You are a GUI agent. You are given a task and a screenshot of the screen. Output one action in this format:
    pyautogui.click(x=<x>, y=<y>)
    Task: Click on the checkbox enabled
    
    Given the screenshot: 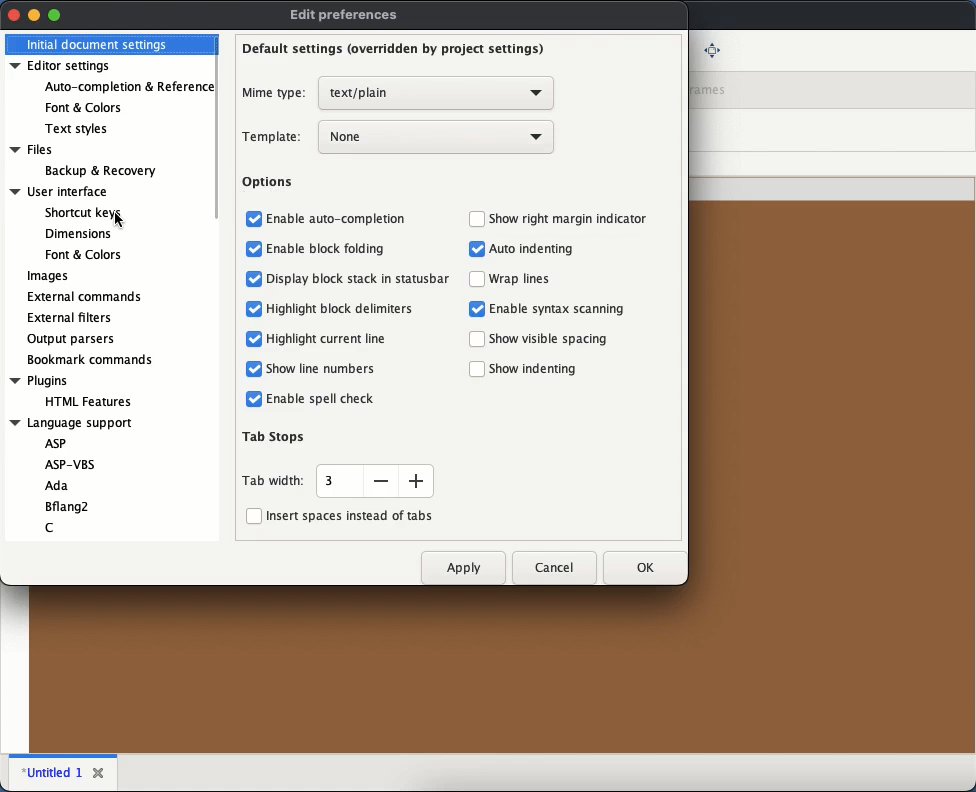 What is the action you would take?
    pyautogui.click(x=255, y=368)
    